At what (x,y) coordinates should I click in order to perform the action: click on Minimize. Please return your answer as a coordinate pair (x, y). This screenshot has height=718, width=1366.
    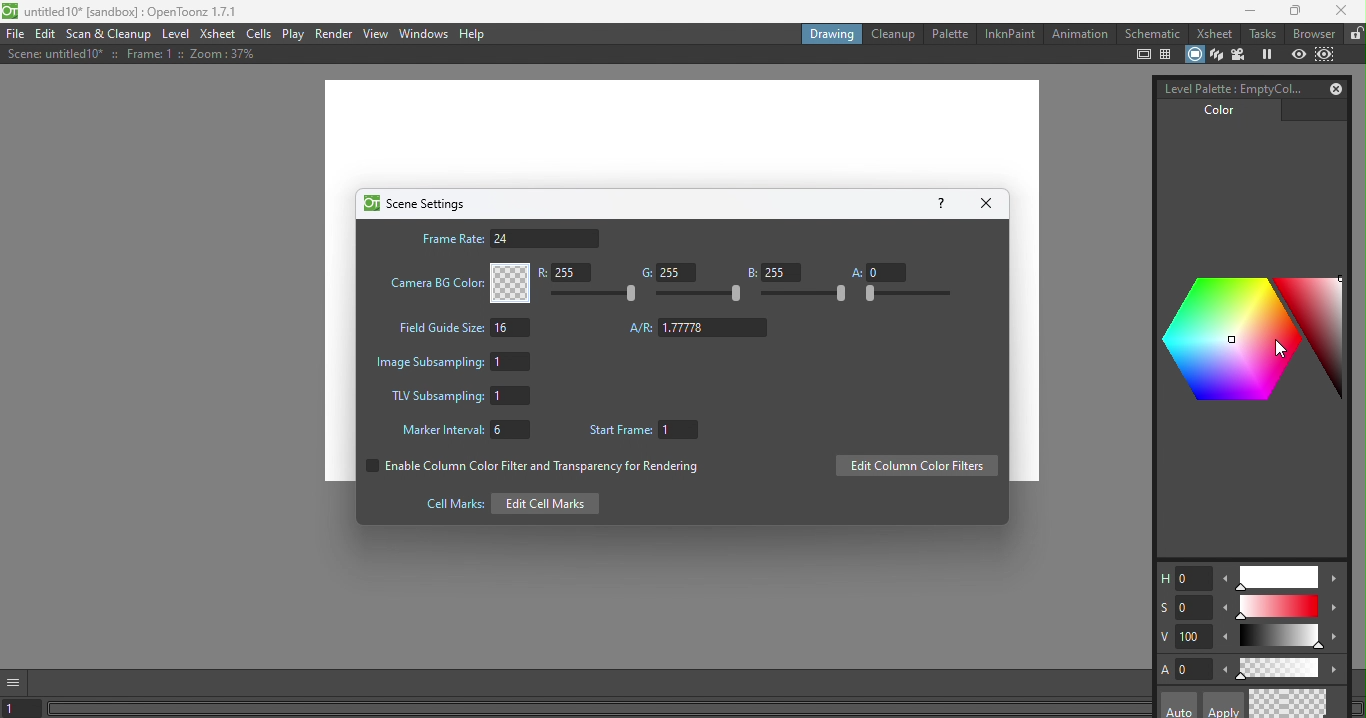
    Looking at the image, I should click on (1244, 13).